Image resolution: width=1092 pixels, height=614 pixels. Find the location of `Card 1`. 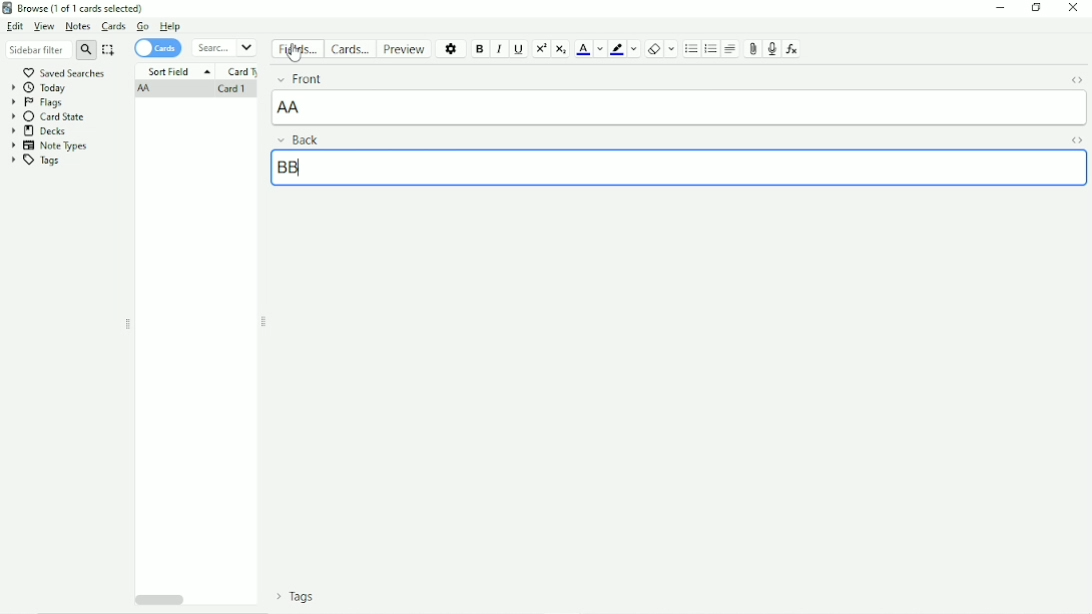

Card 1 is located at coordinates (230, 90).